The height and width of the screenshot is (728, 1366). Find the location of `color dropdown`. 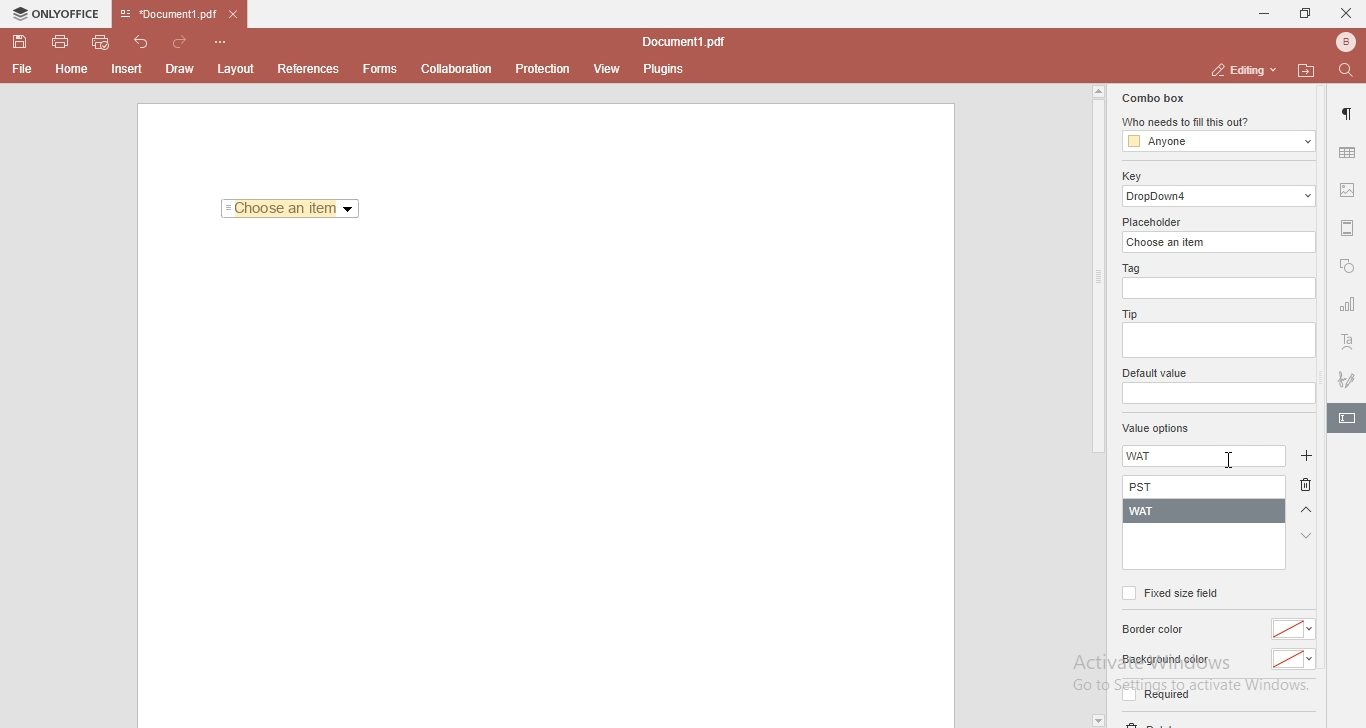

color dropdown is located at coordinates (1296, 629).